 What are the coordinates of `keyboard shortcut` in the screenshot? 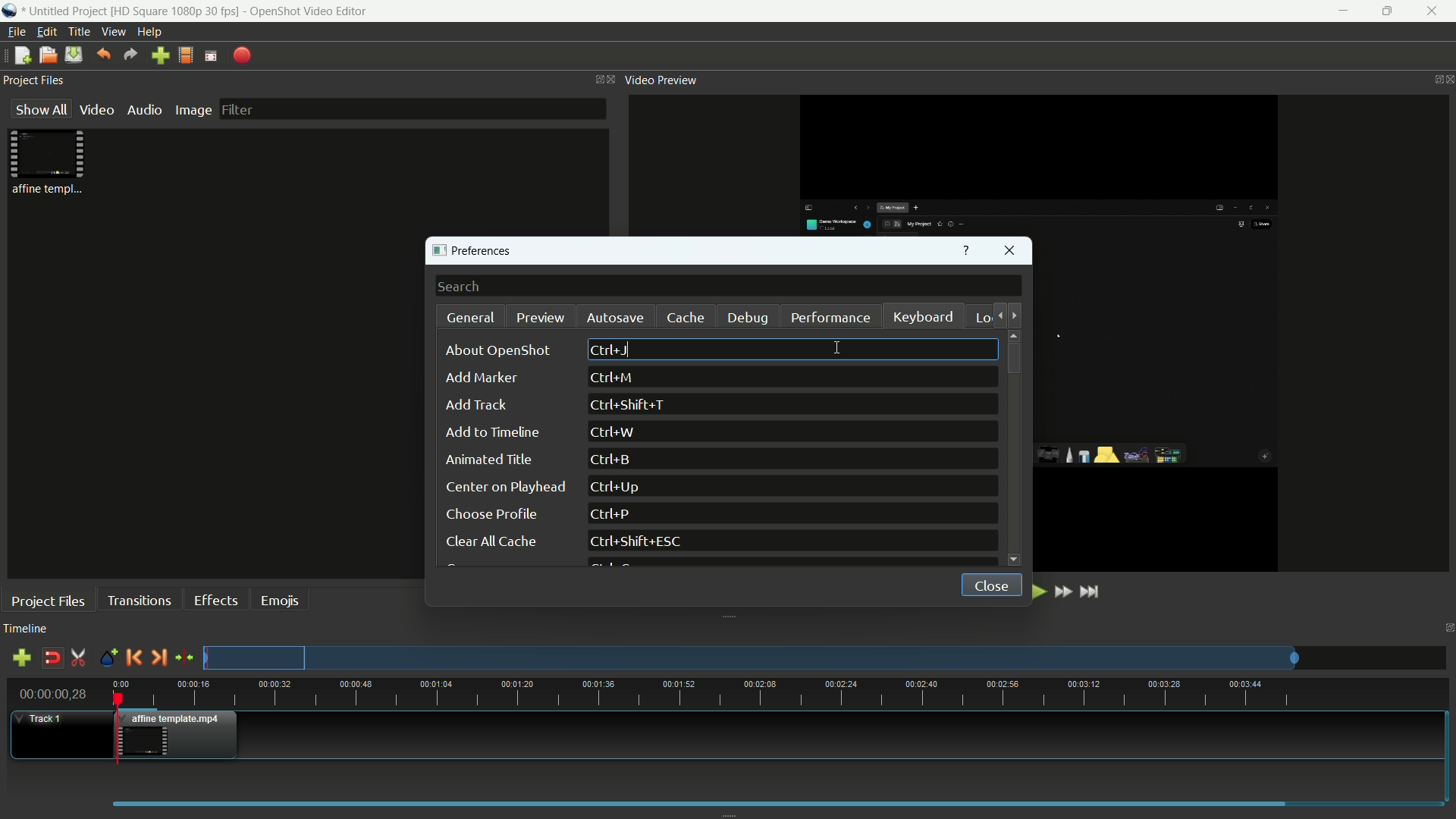 It's located at (613, 378).